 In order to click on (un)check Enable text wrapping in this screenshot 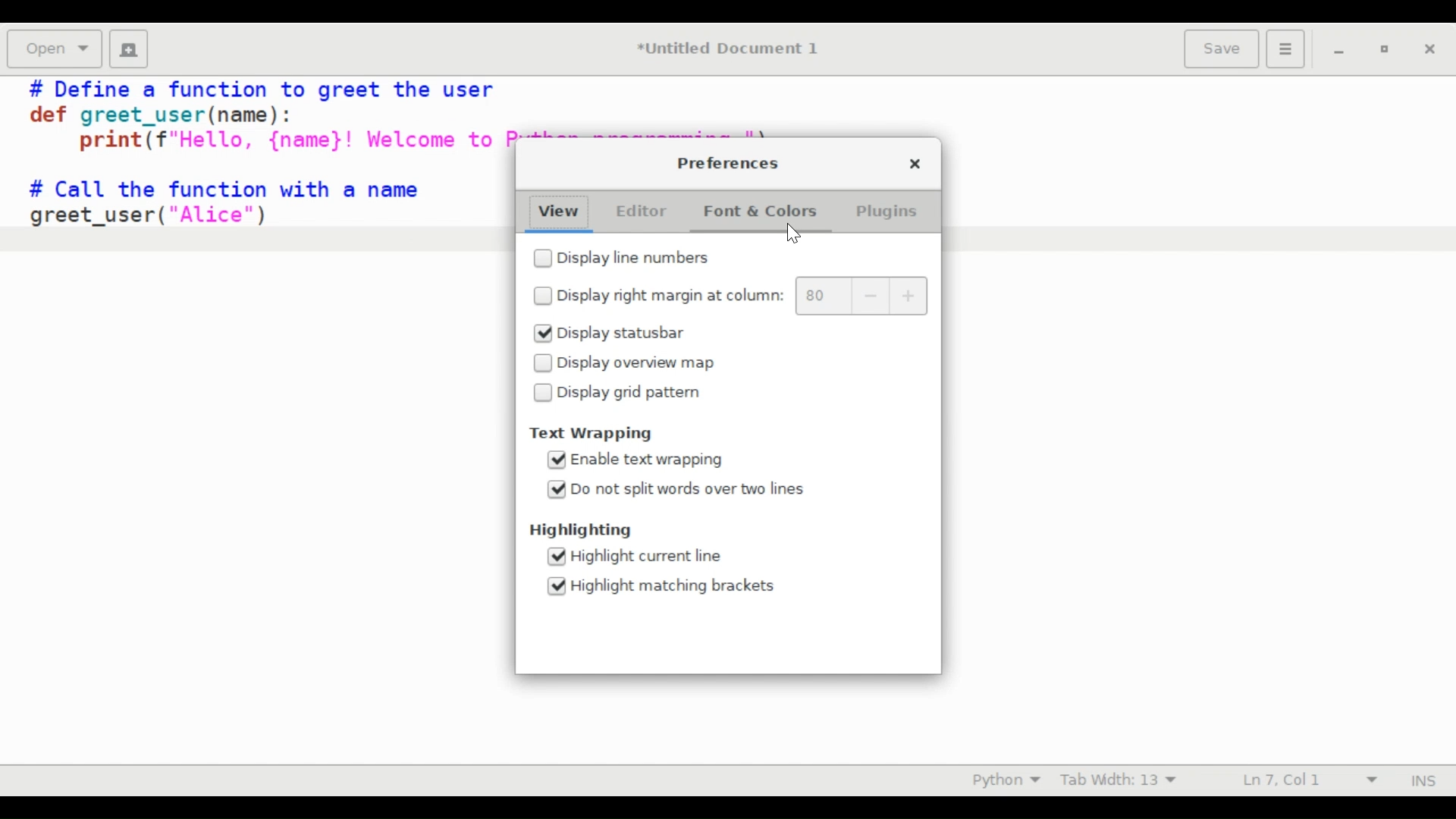, I will do `click(634, 459)`.